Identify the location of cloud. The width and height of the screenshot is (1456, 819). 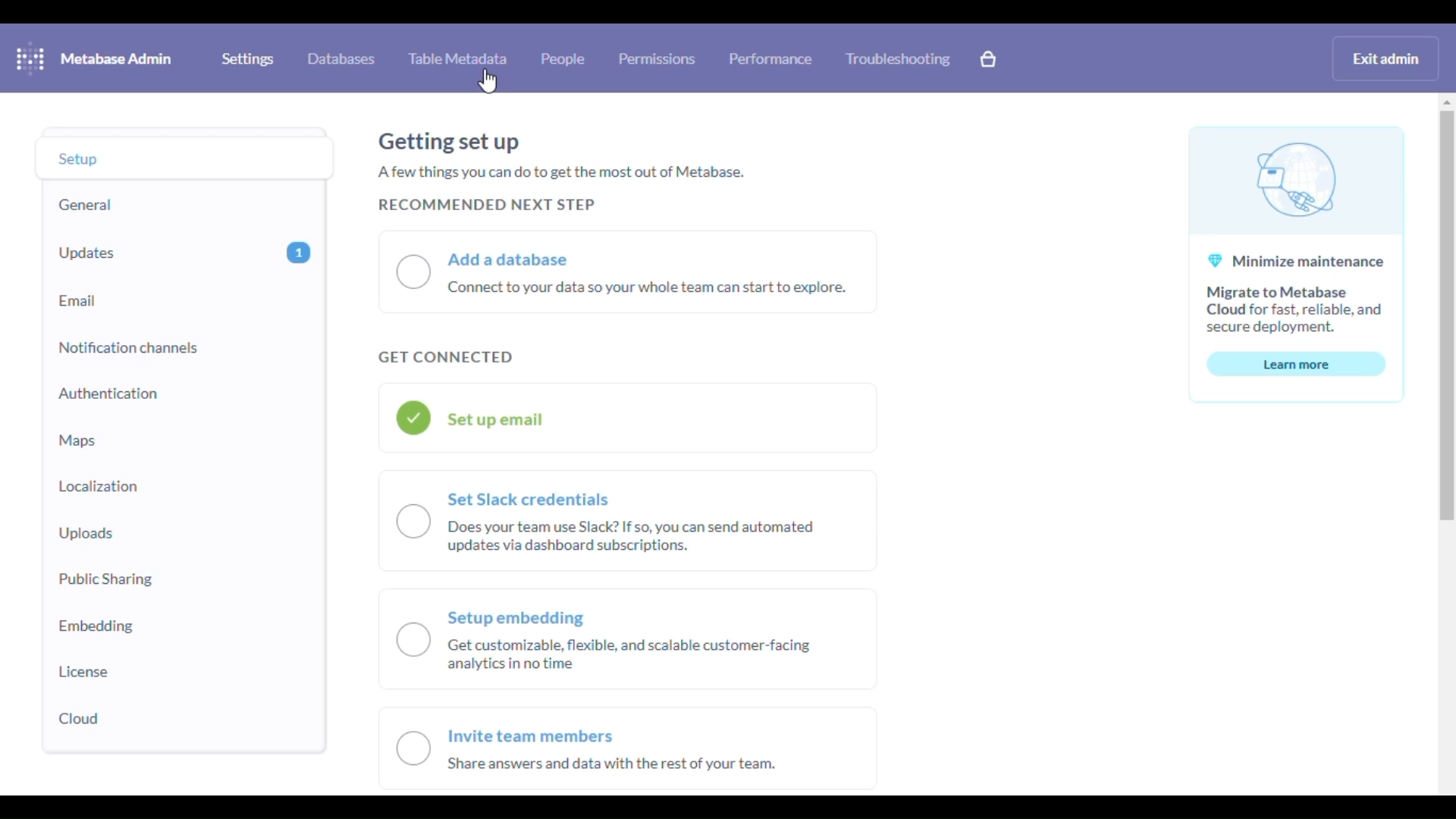
(81, 719).